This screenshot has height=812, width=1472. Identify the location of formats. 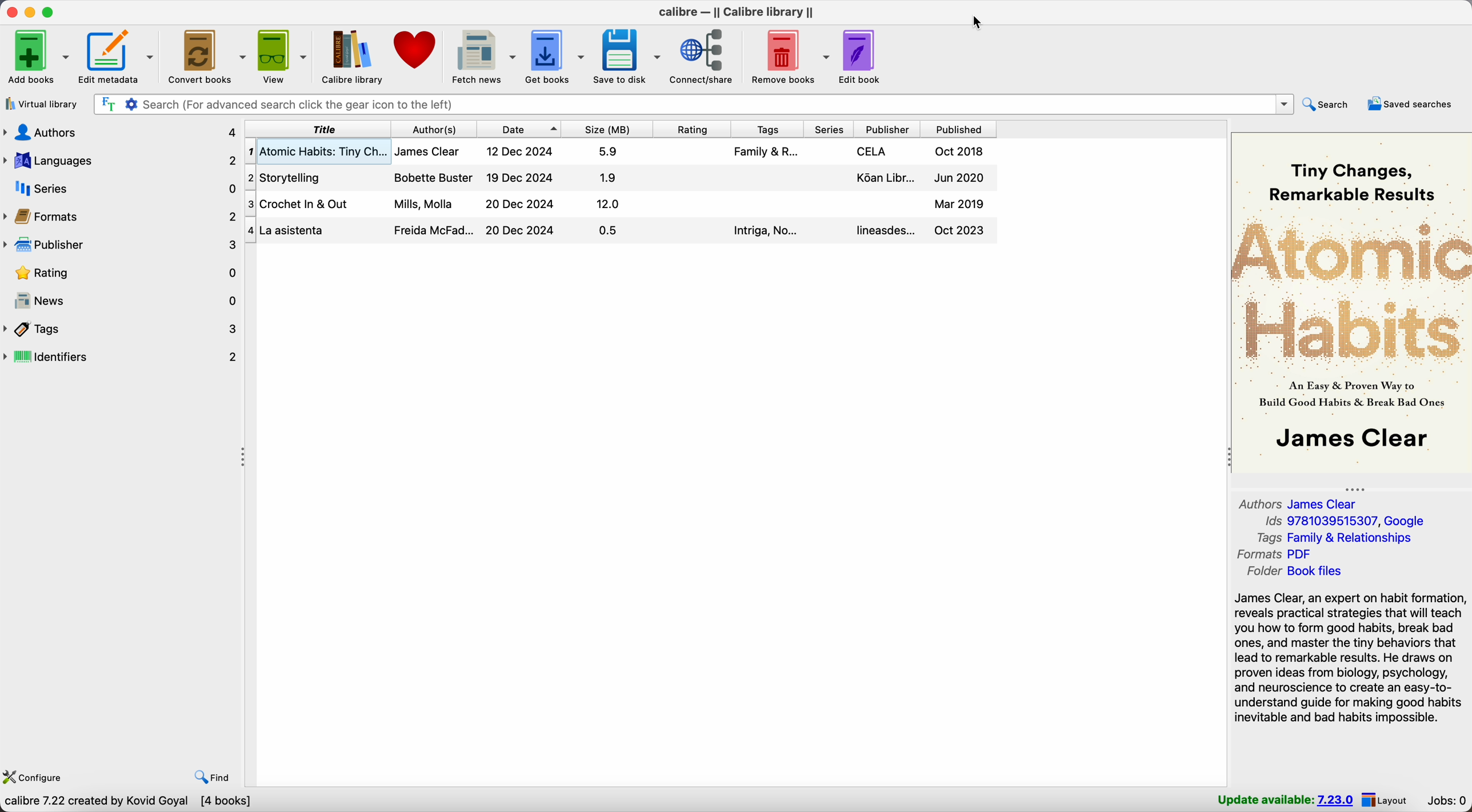
(122, 216).